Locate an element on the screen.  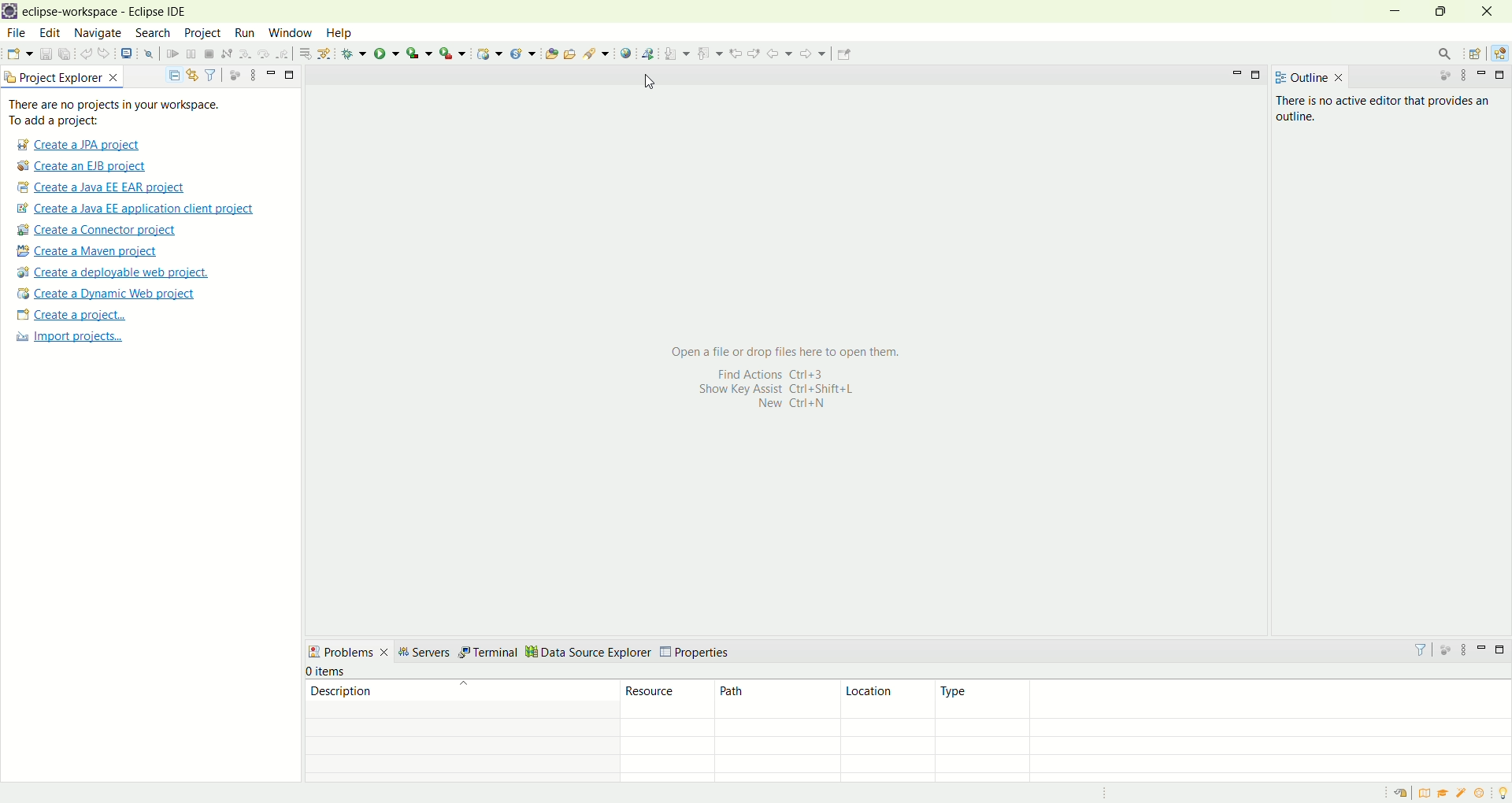
web service explorer is located at coordinates (647, 53).